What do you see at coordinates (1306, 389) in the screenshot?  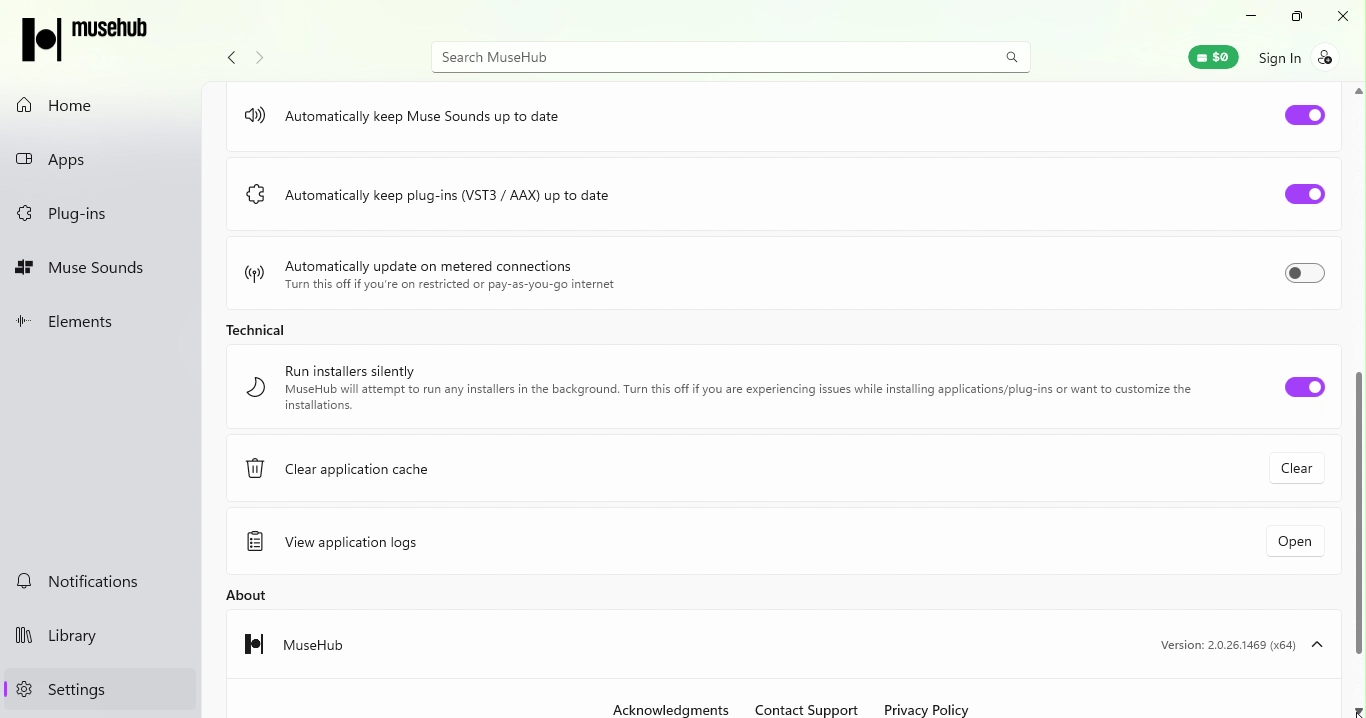 I see `Run installers silently` at bounding box center [1306, 389].